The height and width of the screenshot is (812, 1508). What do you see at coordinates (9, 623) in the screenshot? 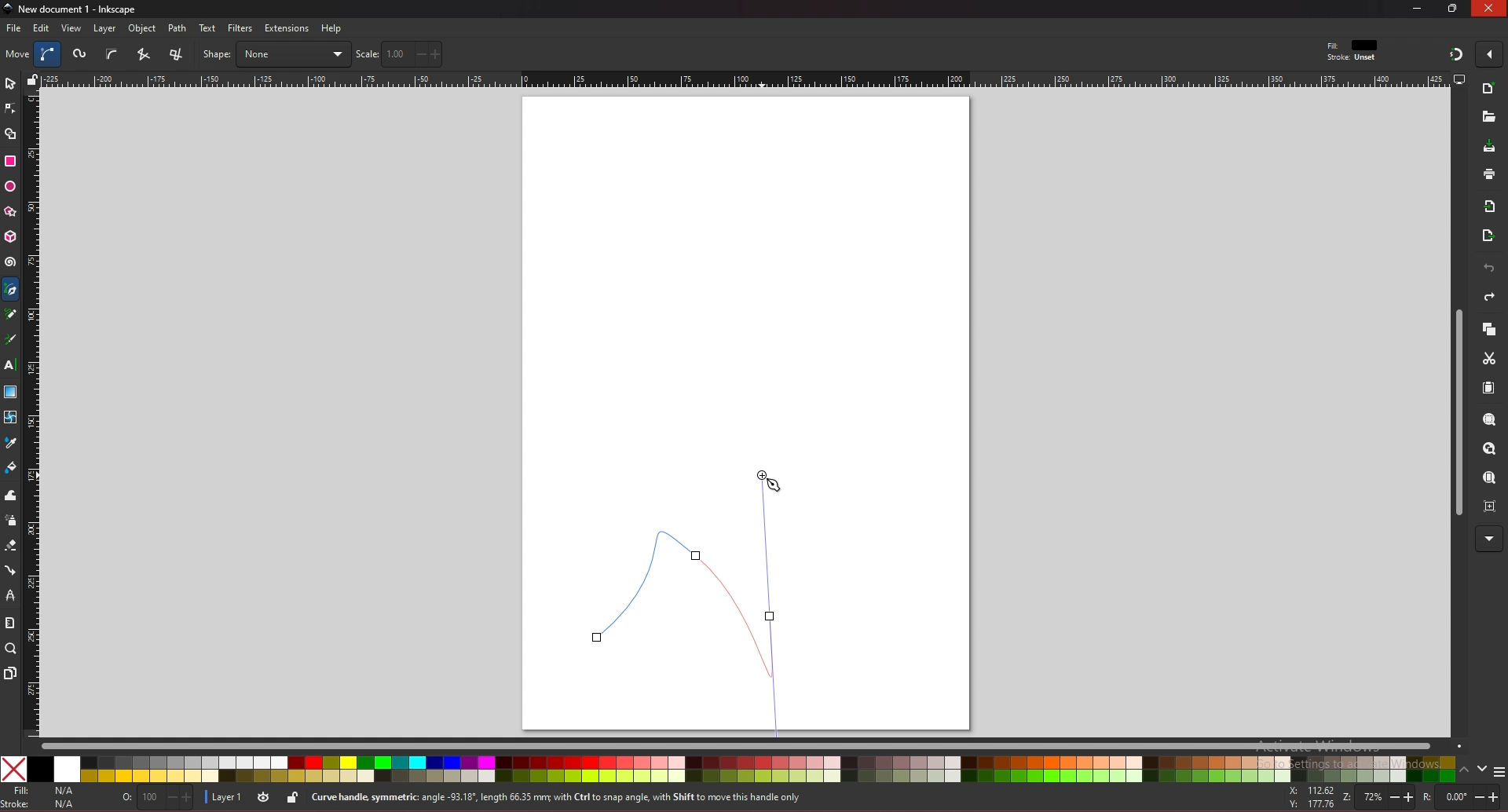
I see `measure` at bounding box center [9, 623].